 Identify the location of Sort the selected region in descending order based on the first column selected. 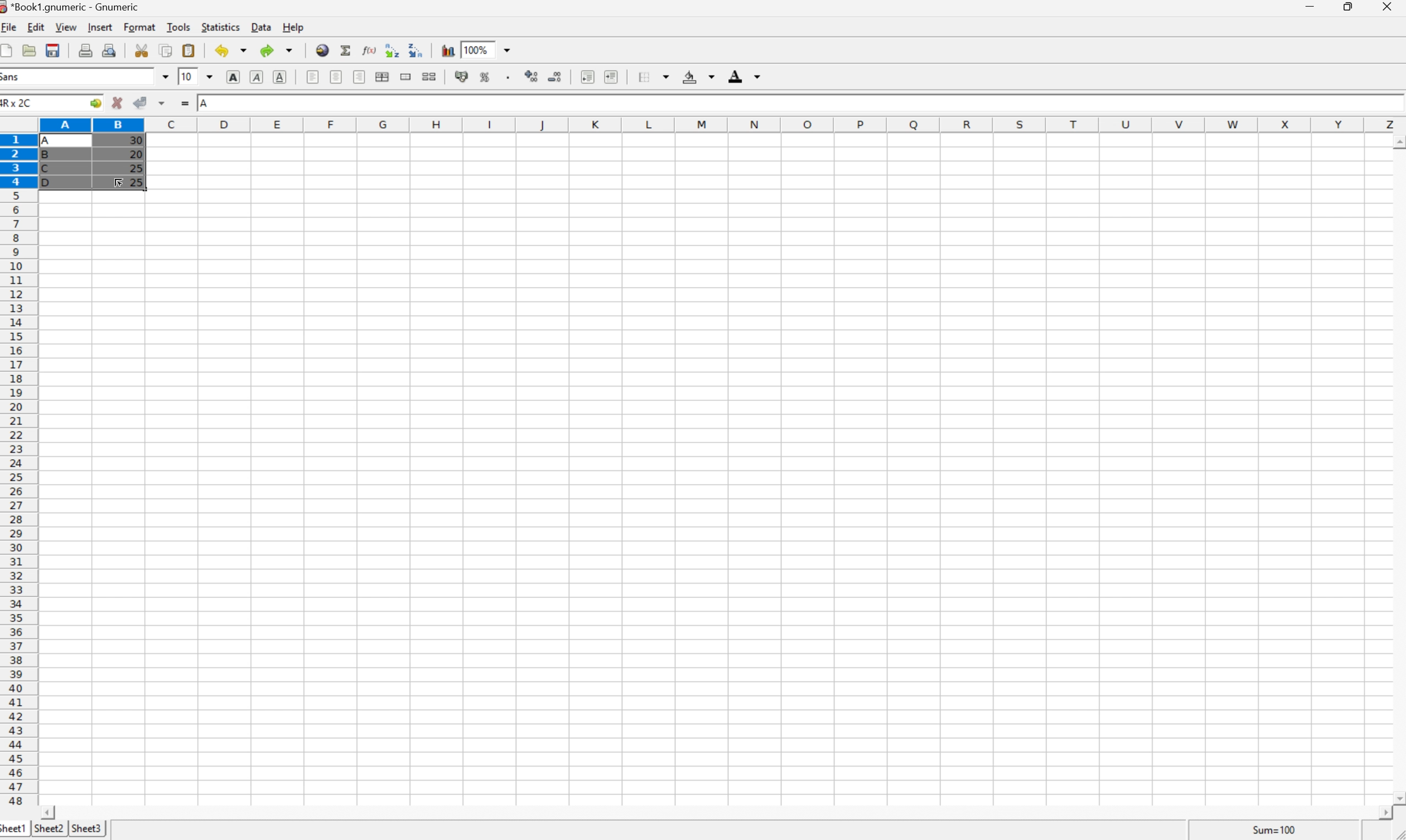
(415, 49).